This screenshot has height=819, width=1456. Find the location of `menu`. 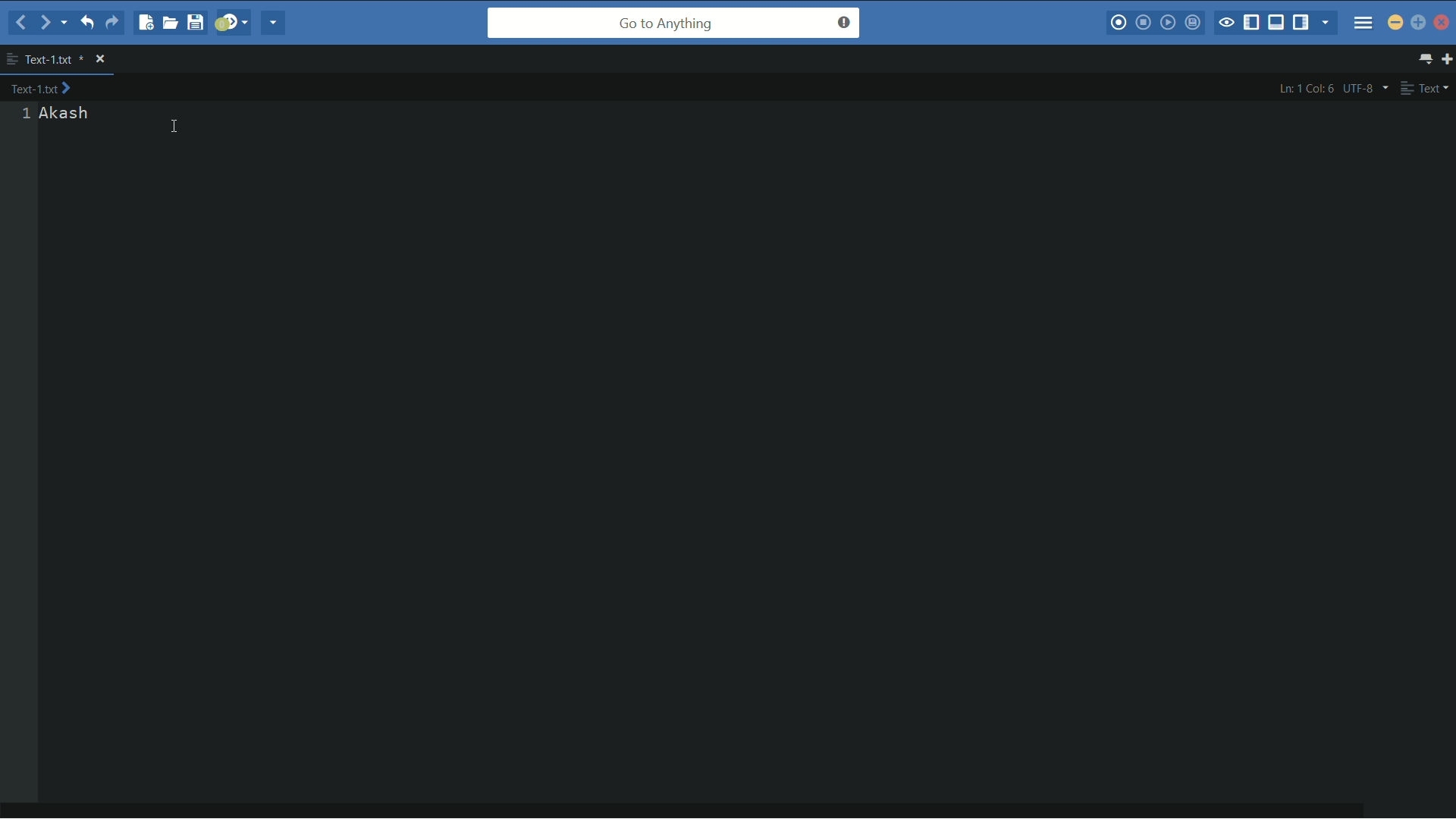

menu is located at coordinates (1363, 22).